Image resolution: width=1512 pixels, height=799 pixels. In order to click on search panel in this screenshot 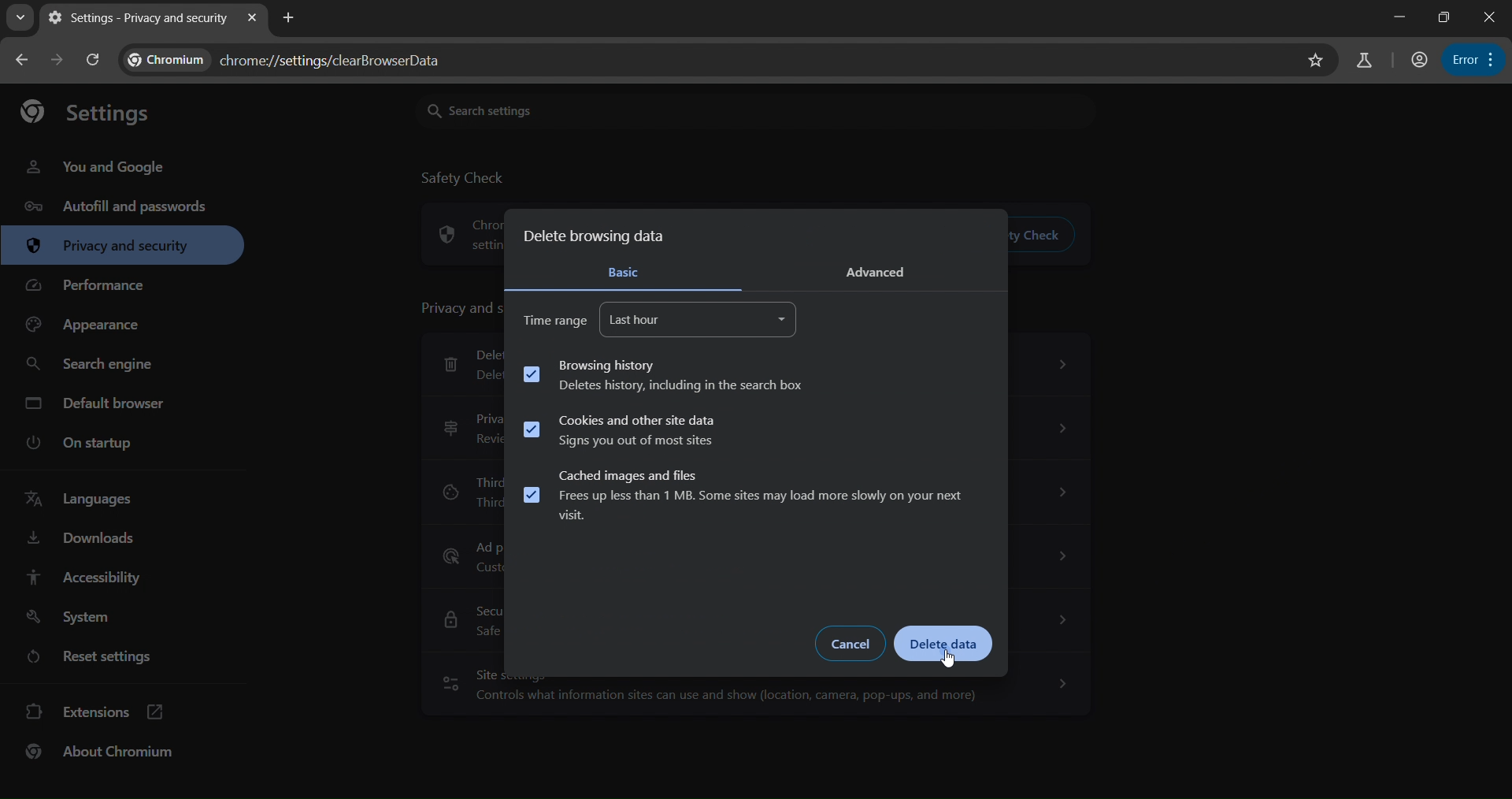, I will do `click(93, 59)`.